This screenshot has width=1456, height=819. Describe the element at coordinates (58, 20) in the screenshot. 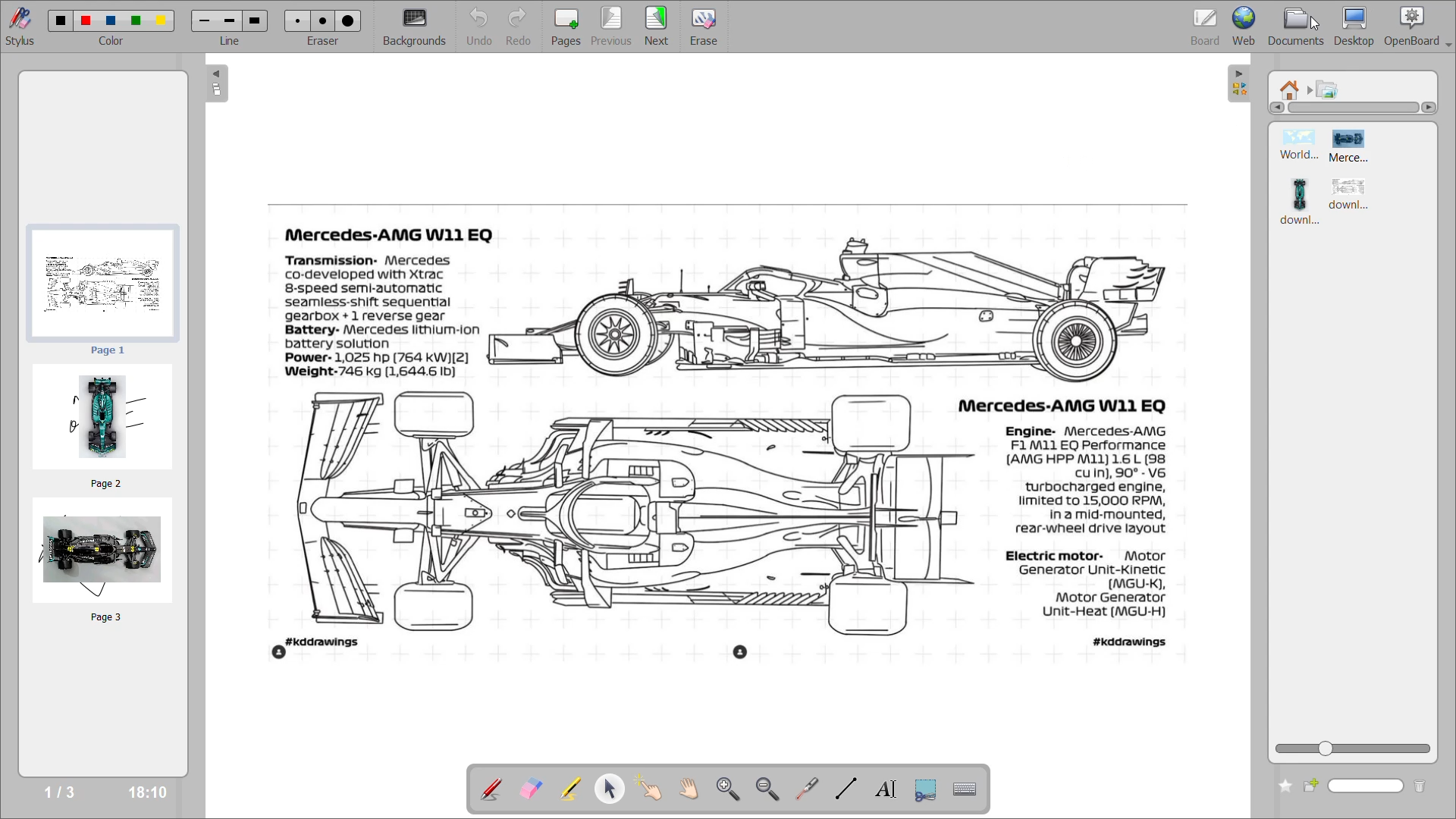

I see `color 1` at that location.